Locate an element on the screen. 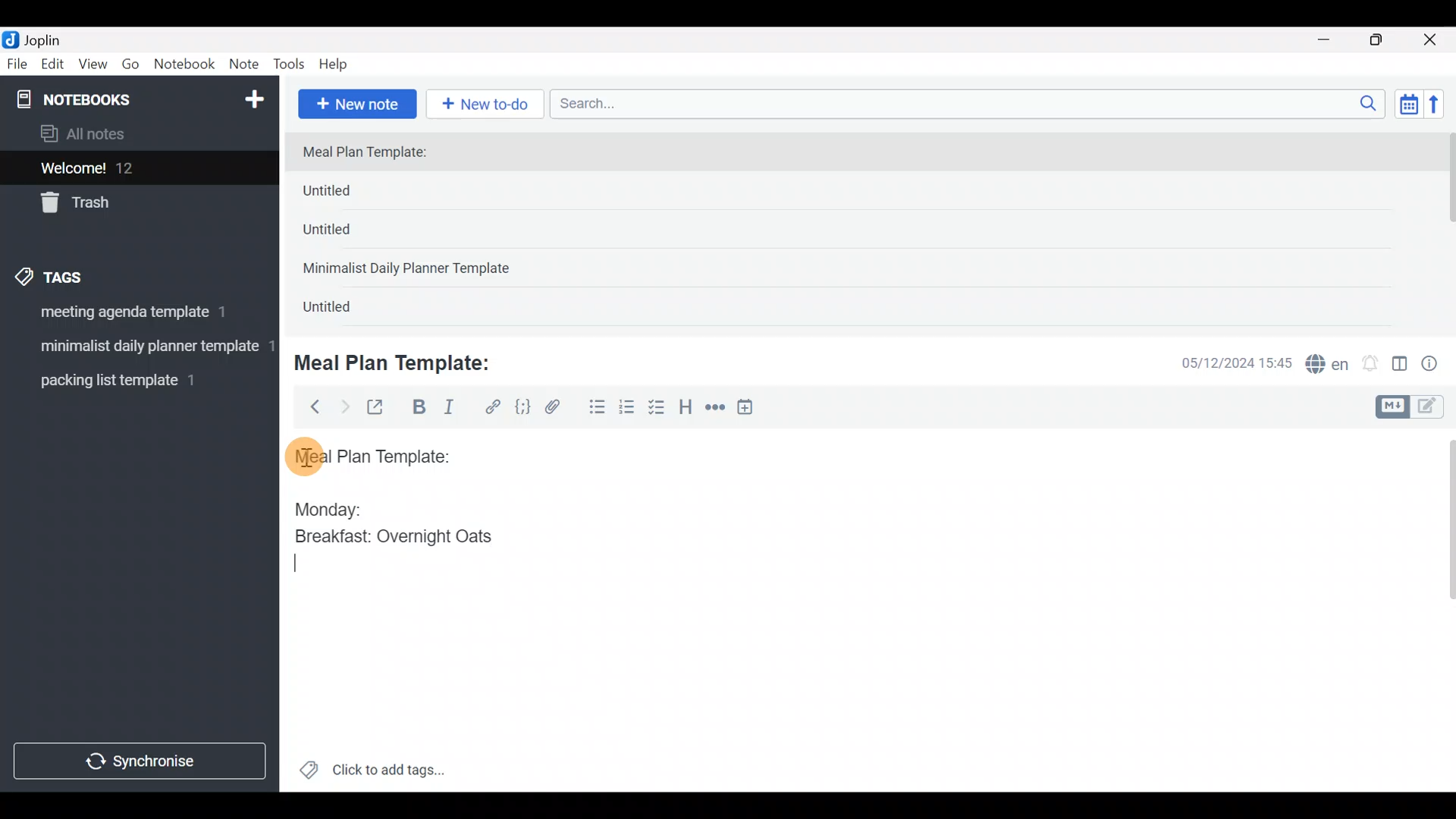 This screenshot has height=819, width=1456. Meal Plan Template: is located at coordinates (374, 153).